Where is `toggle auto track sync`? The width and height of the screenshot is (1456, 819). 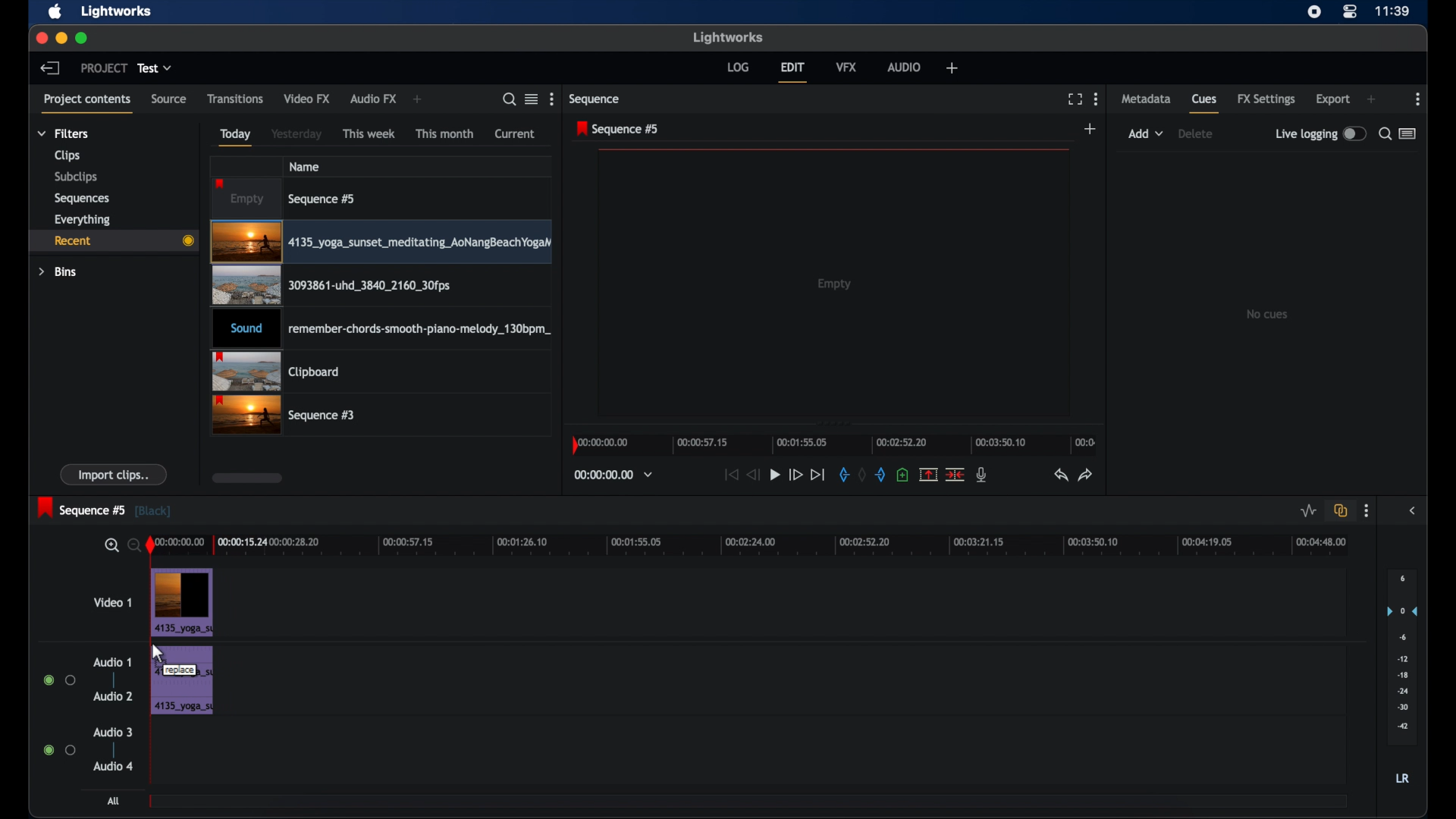 toggle auto track sync is located at coordinates (1341, 510).